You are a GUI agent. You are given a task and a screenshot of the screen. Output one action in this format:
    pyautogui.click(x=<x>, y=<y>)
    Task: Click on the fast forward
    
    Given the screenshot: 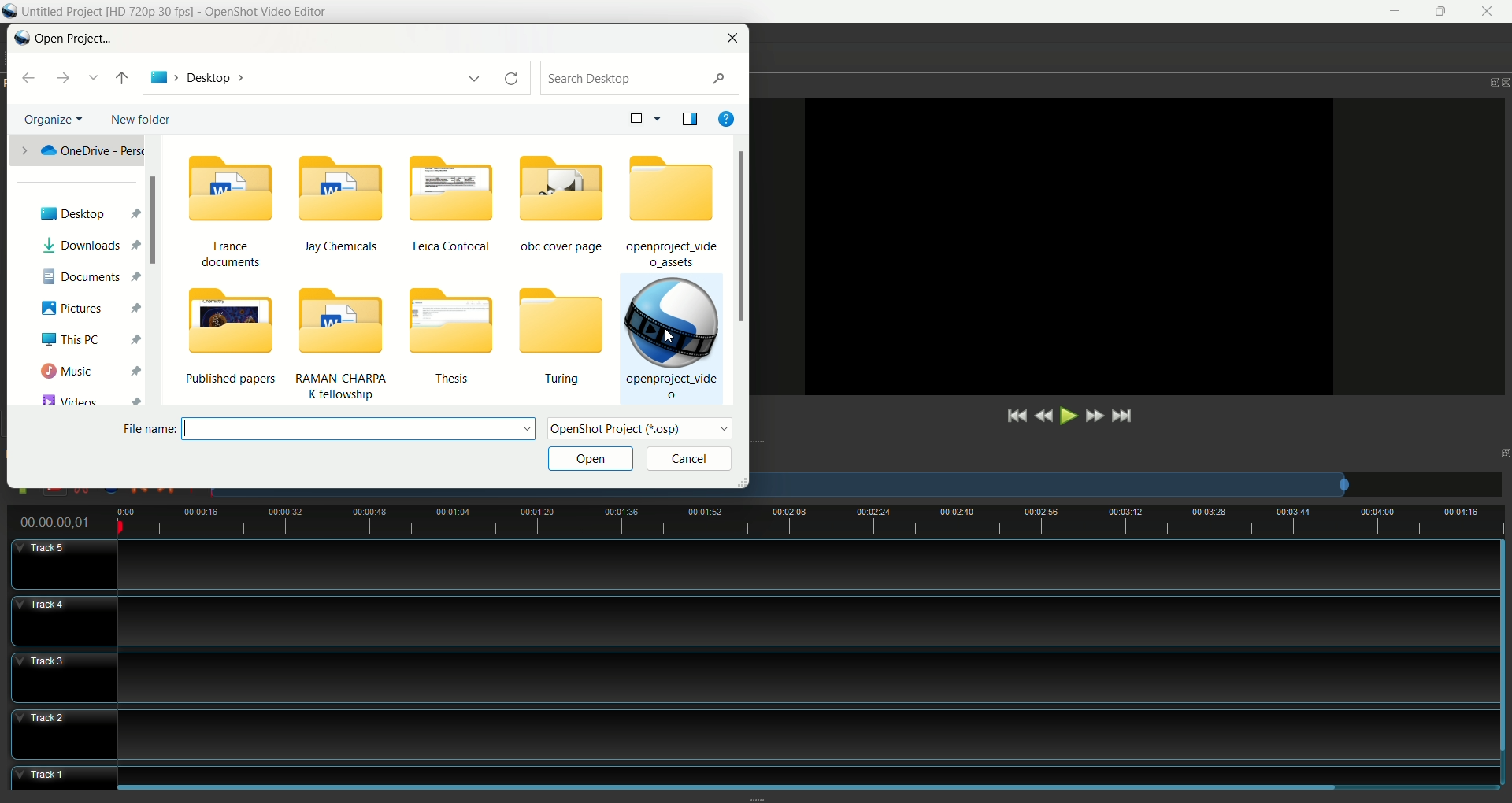 What is the action you would take?
    pyautogui.click(x=1093, y=415)
    